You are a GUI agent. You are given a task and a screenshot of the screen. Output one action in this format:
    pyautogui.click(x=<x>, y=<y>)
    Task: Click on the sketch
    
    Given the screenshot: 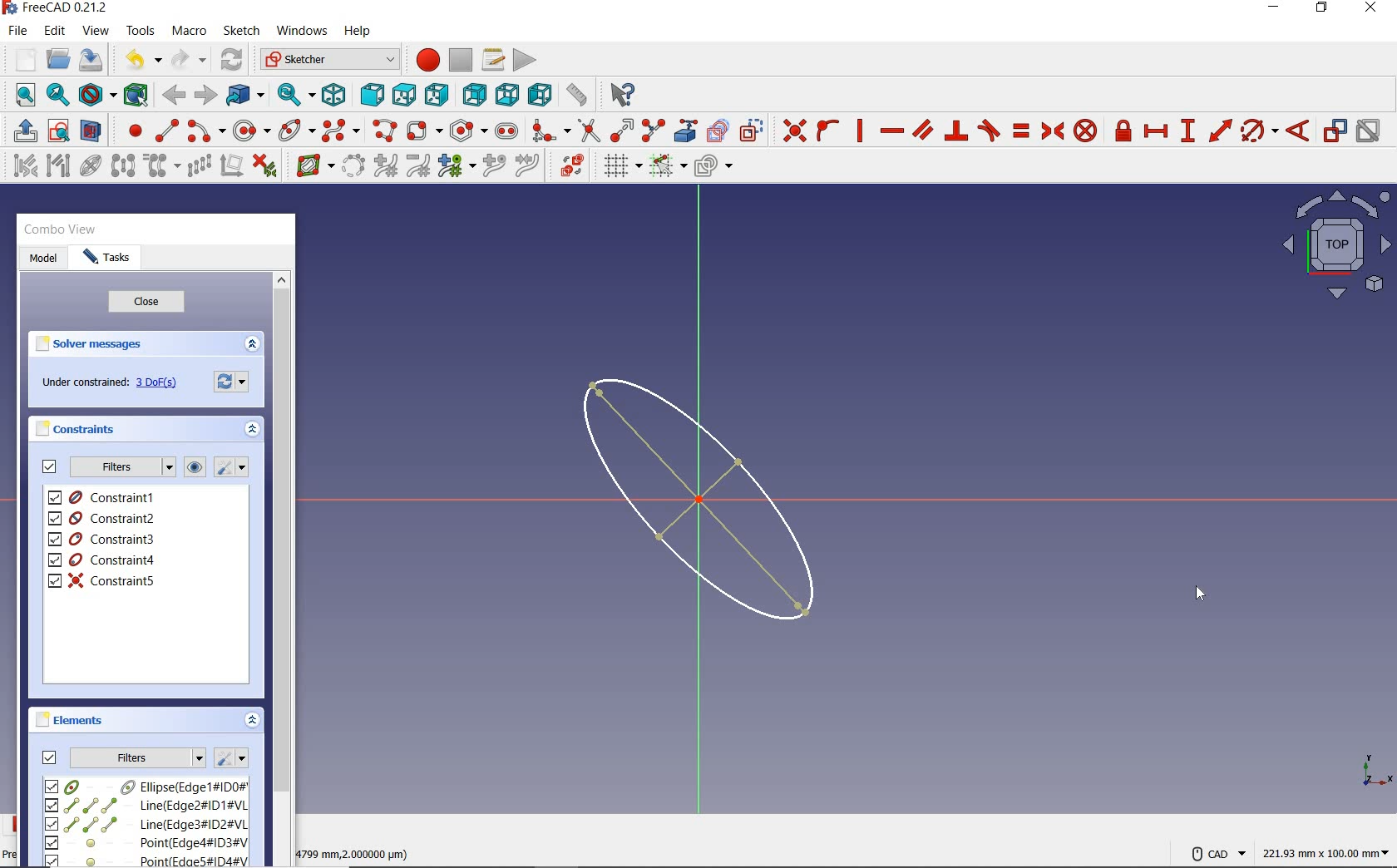 What is the action you would take?
    pyautogui.click(x=240, y=31)
    